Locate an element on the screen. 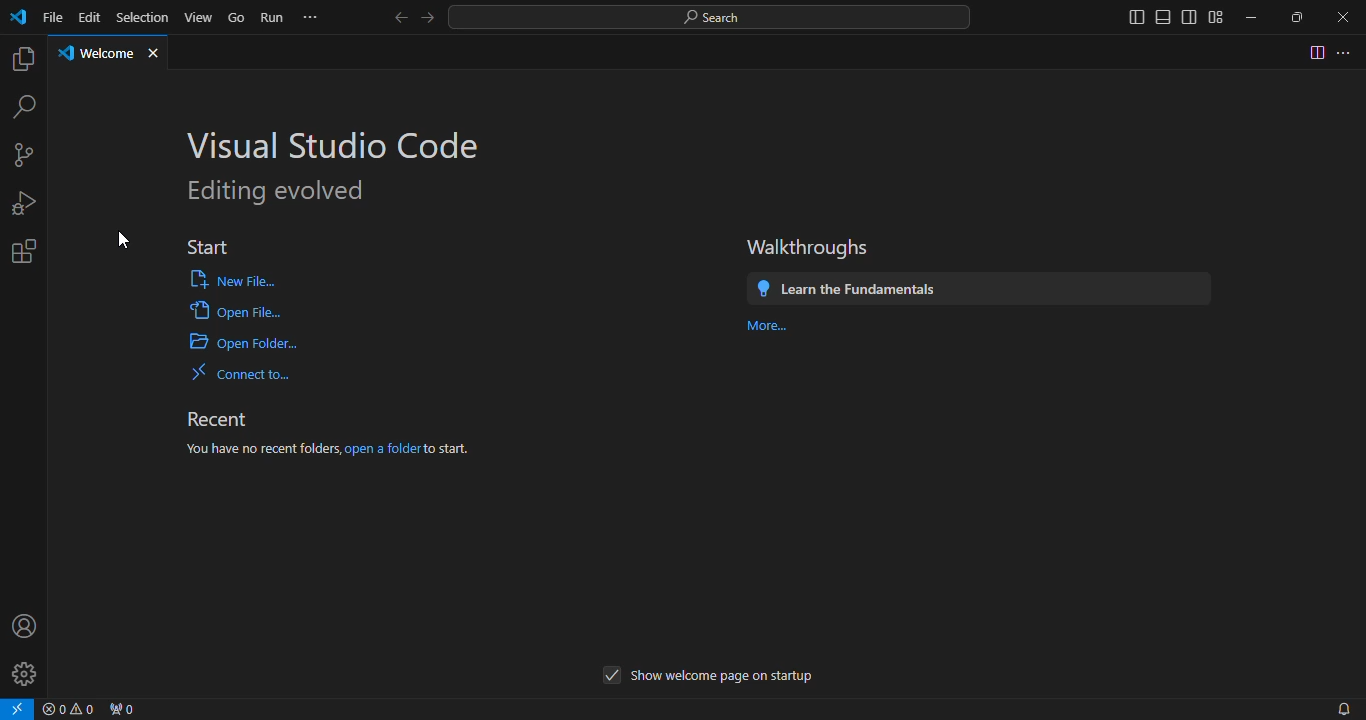 Image resolution: width=1366 pixels, height=720 pixels. cursor is located at coordinates (130, 240).